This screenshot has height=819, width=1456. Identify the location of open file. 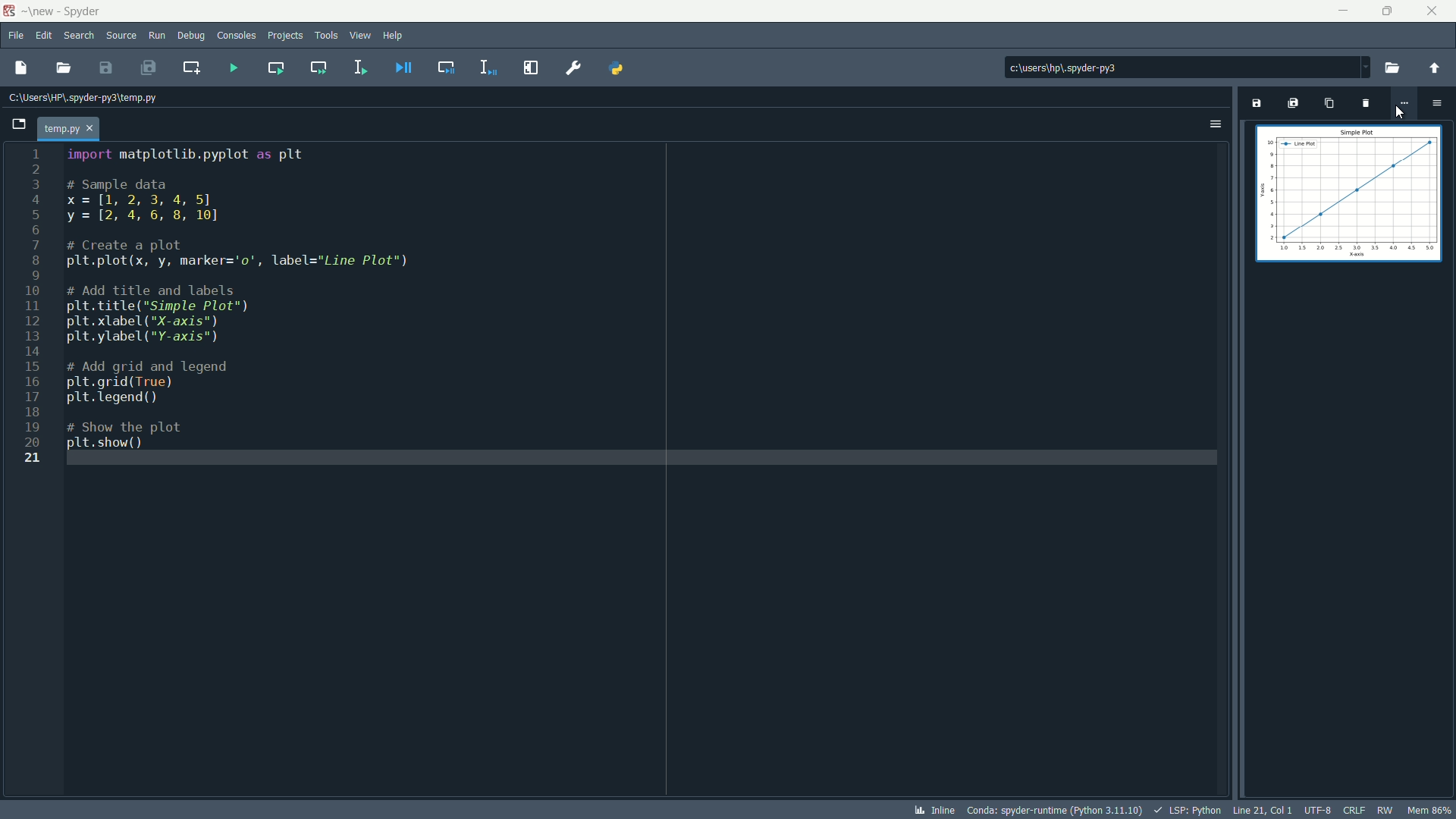
(66, 67).